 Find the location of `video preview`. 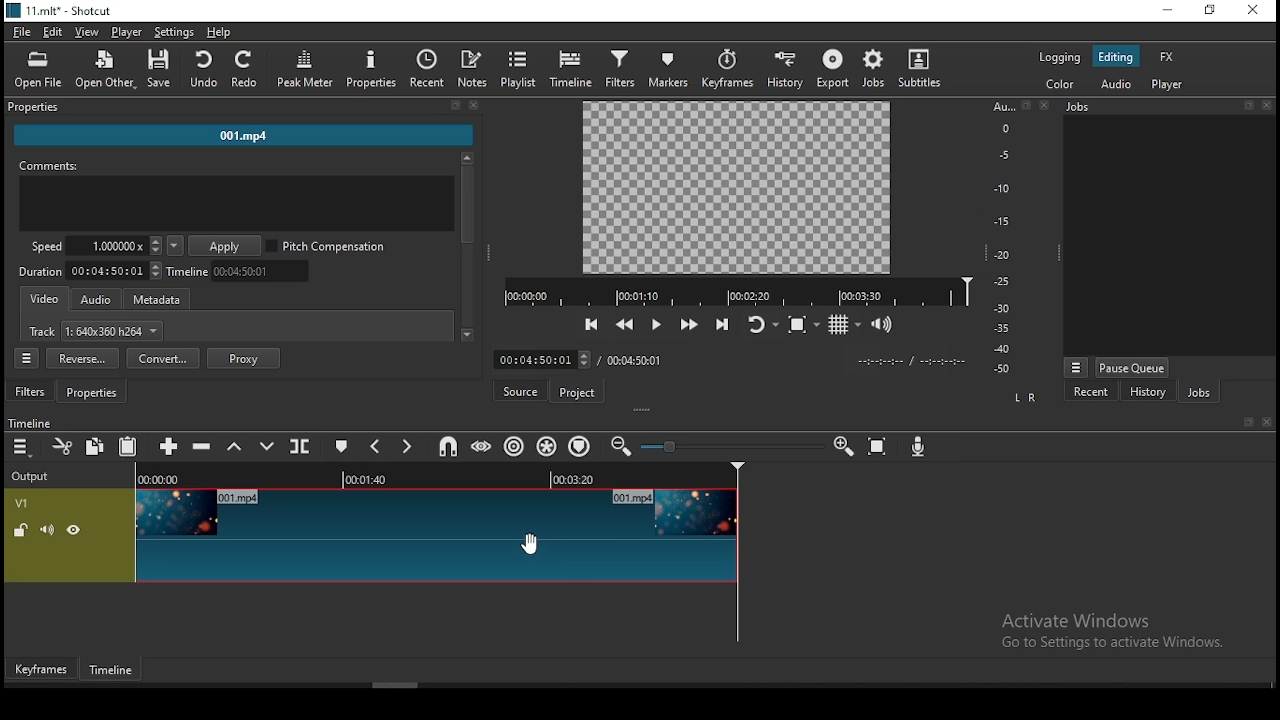

video preview is located at coordinates (731, 188).